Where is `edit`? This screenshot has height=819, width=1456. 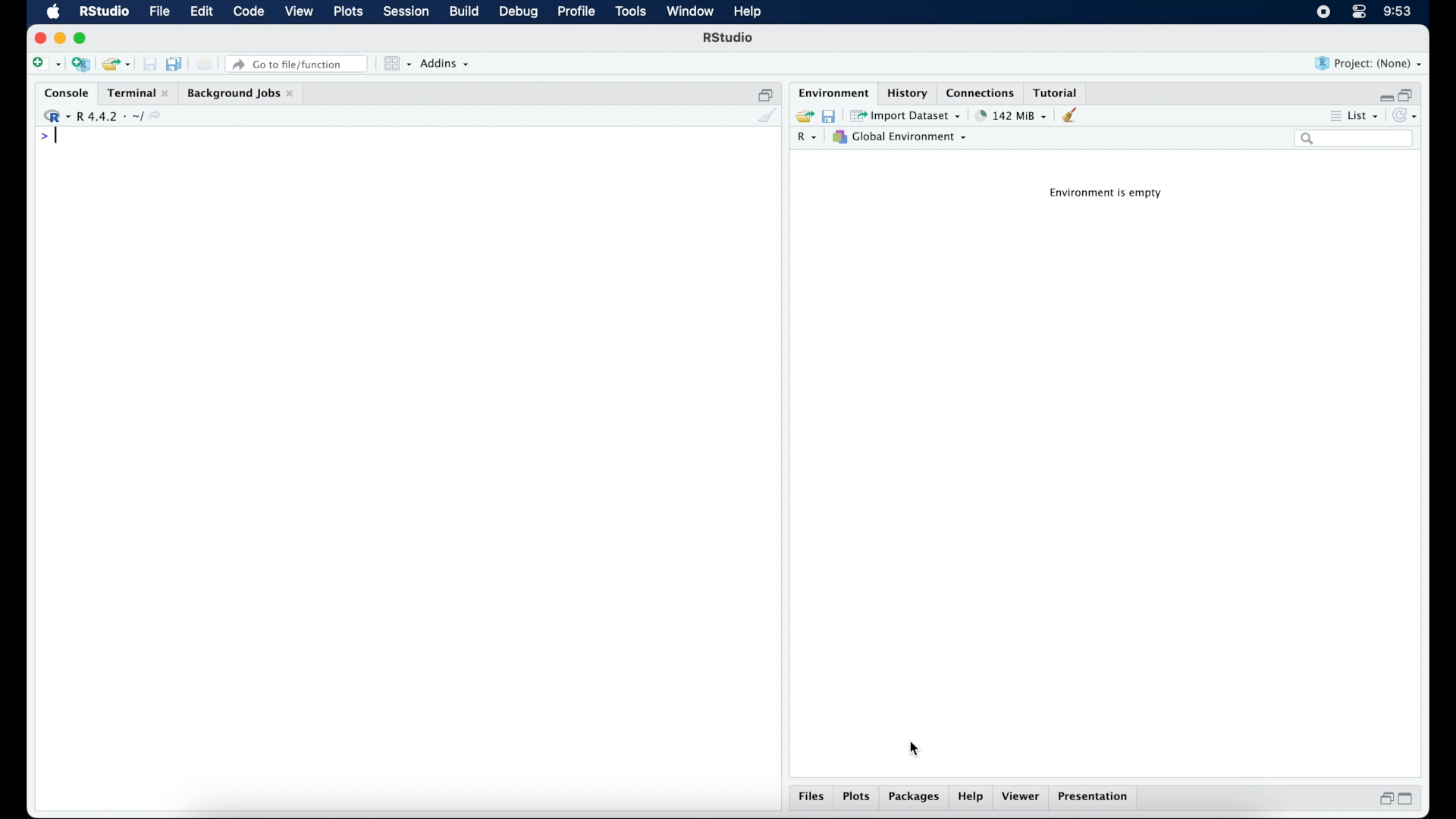 edit is located at coordinates (202, 12).